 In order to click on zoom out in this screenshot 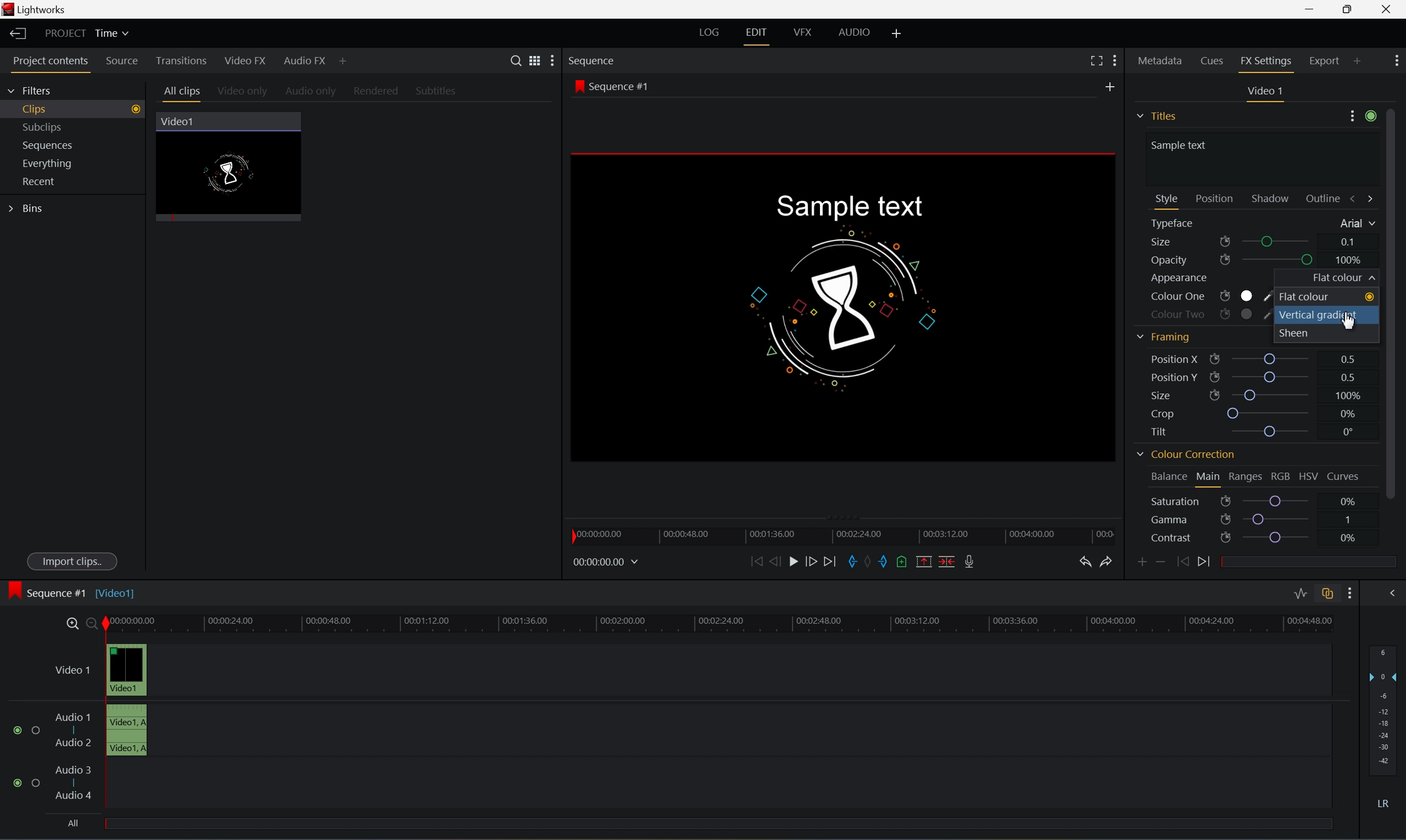, I will do `click(93, 624)`.